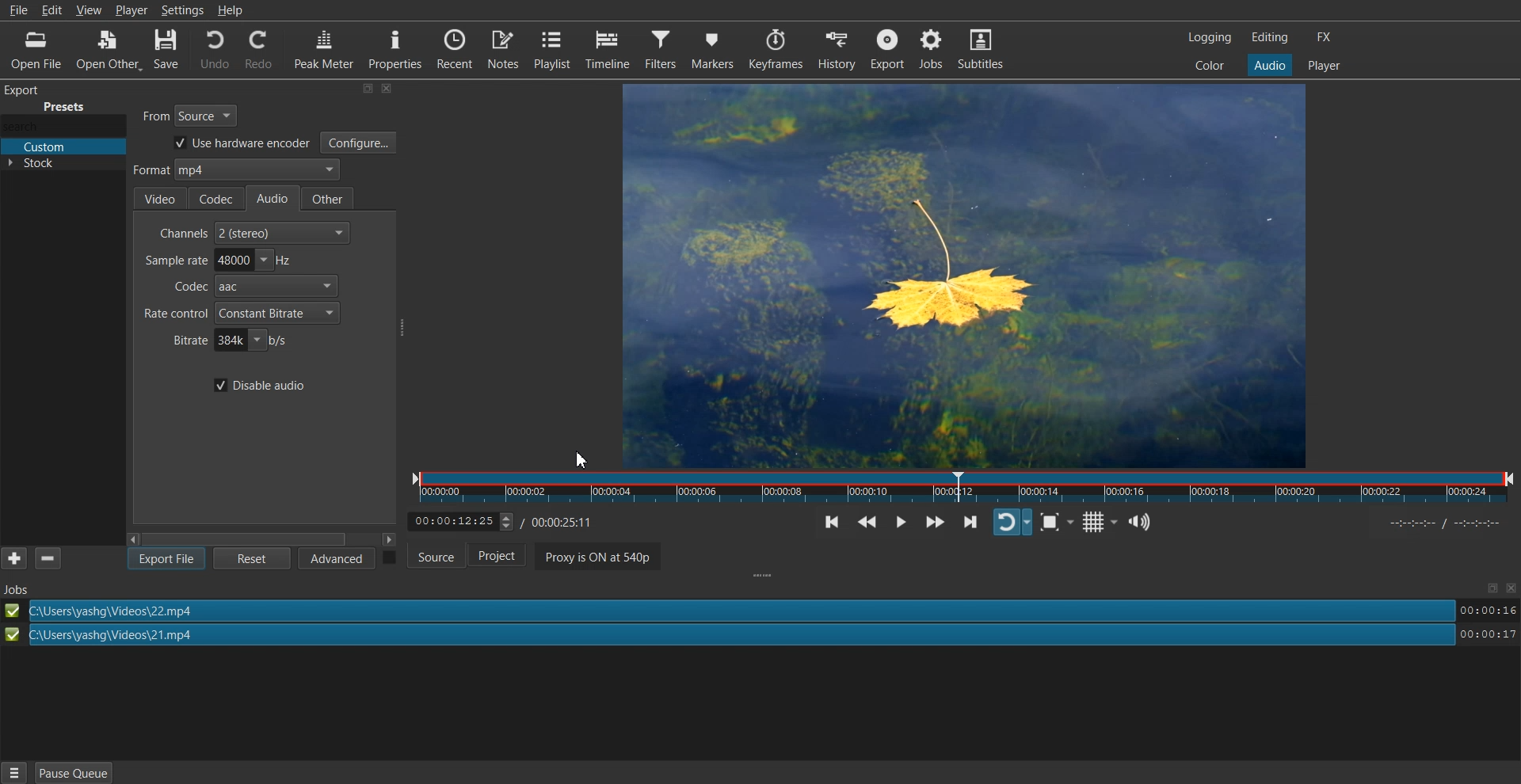 This screenshot has height=784, width=1521. I want to click on timeline, so click(969, 484).